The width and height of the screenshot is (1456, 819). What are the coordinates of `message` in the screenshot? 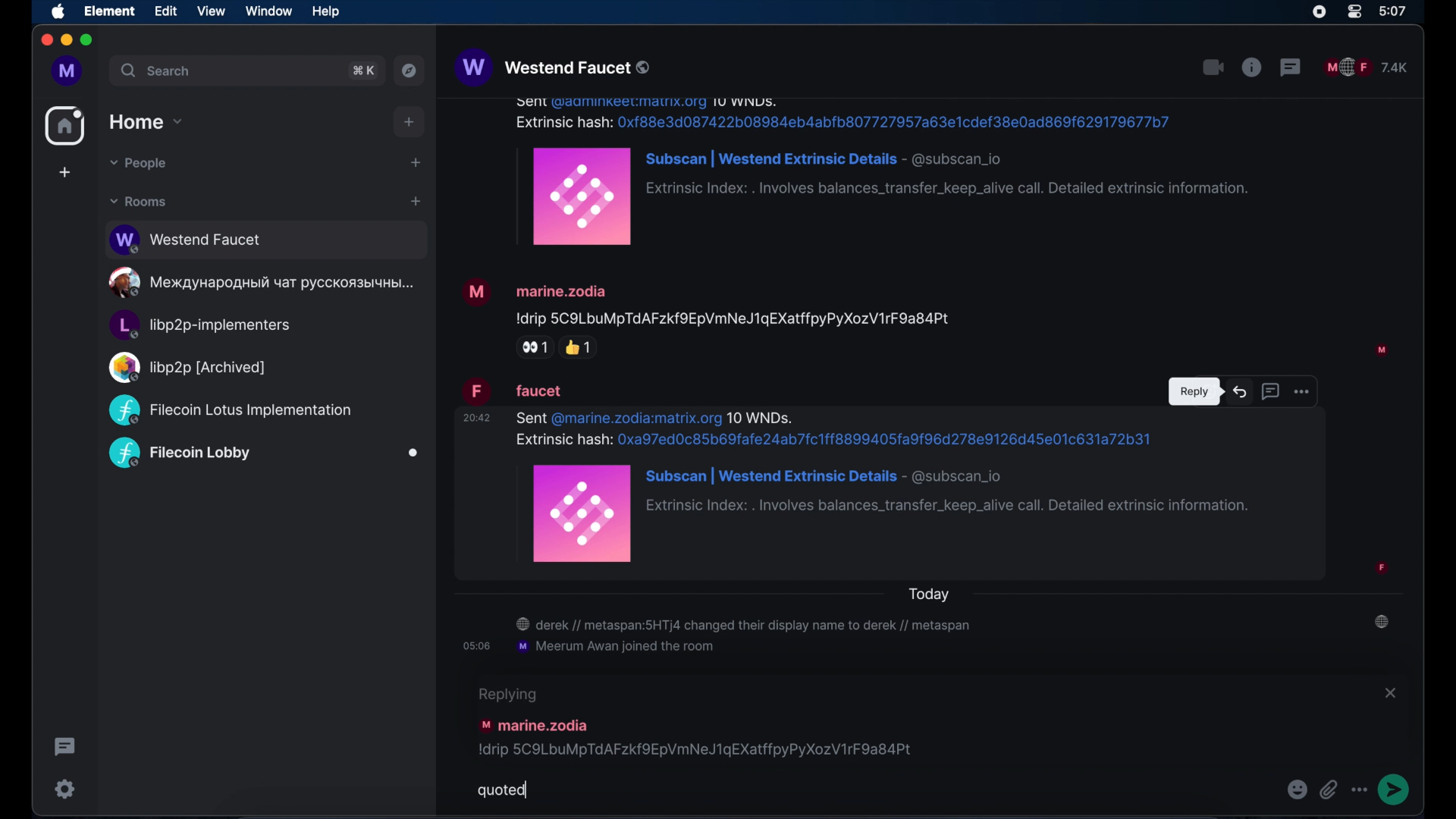 It's located at (928, 505).